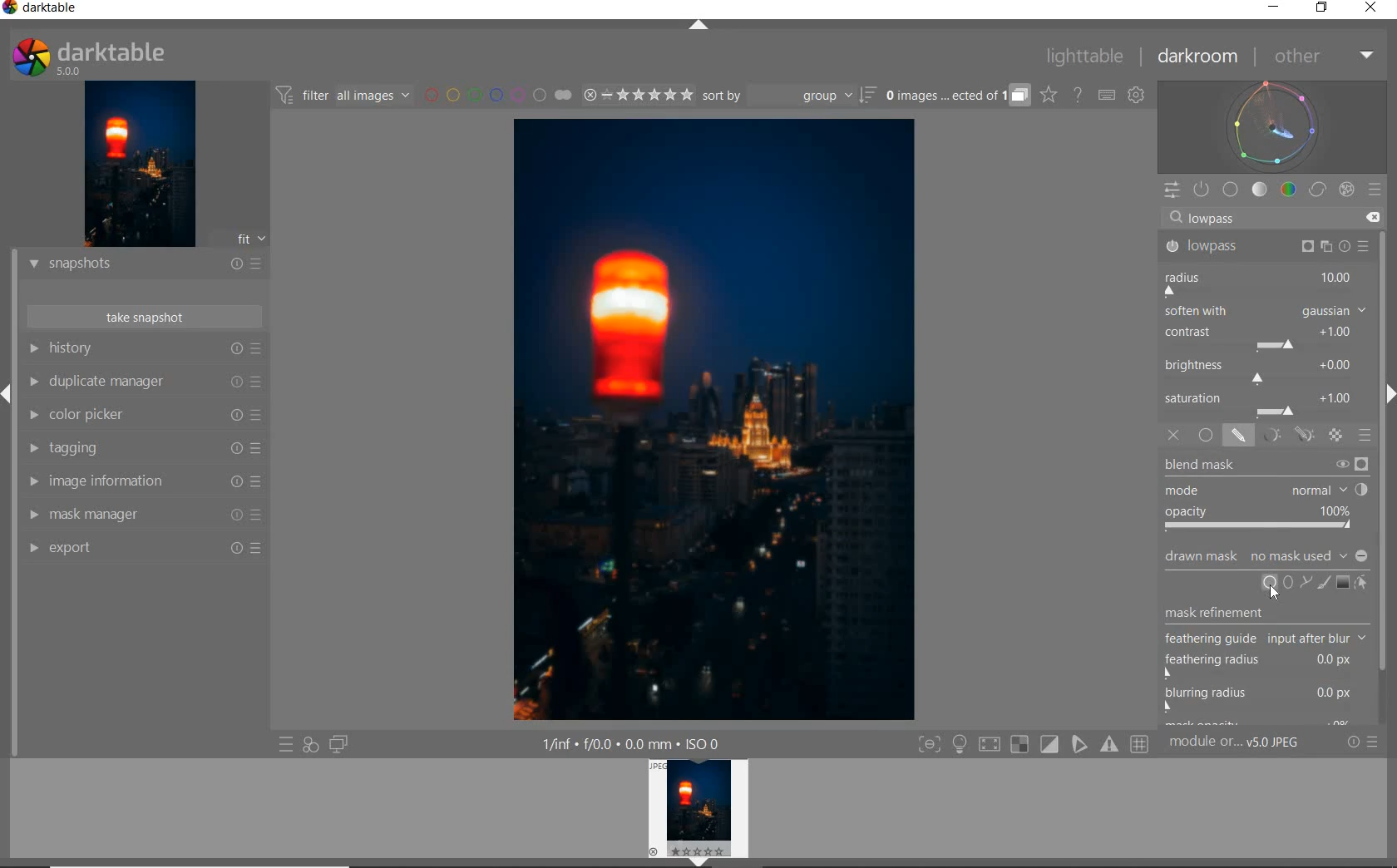 The width and height of the screenshot is (1397, 868). Describe the element at coordinates (635, 96) in the screenshot. I see `RANGE RATING OF SELECTED IMAGES` at that location.